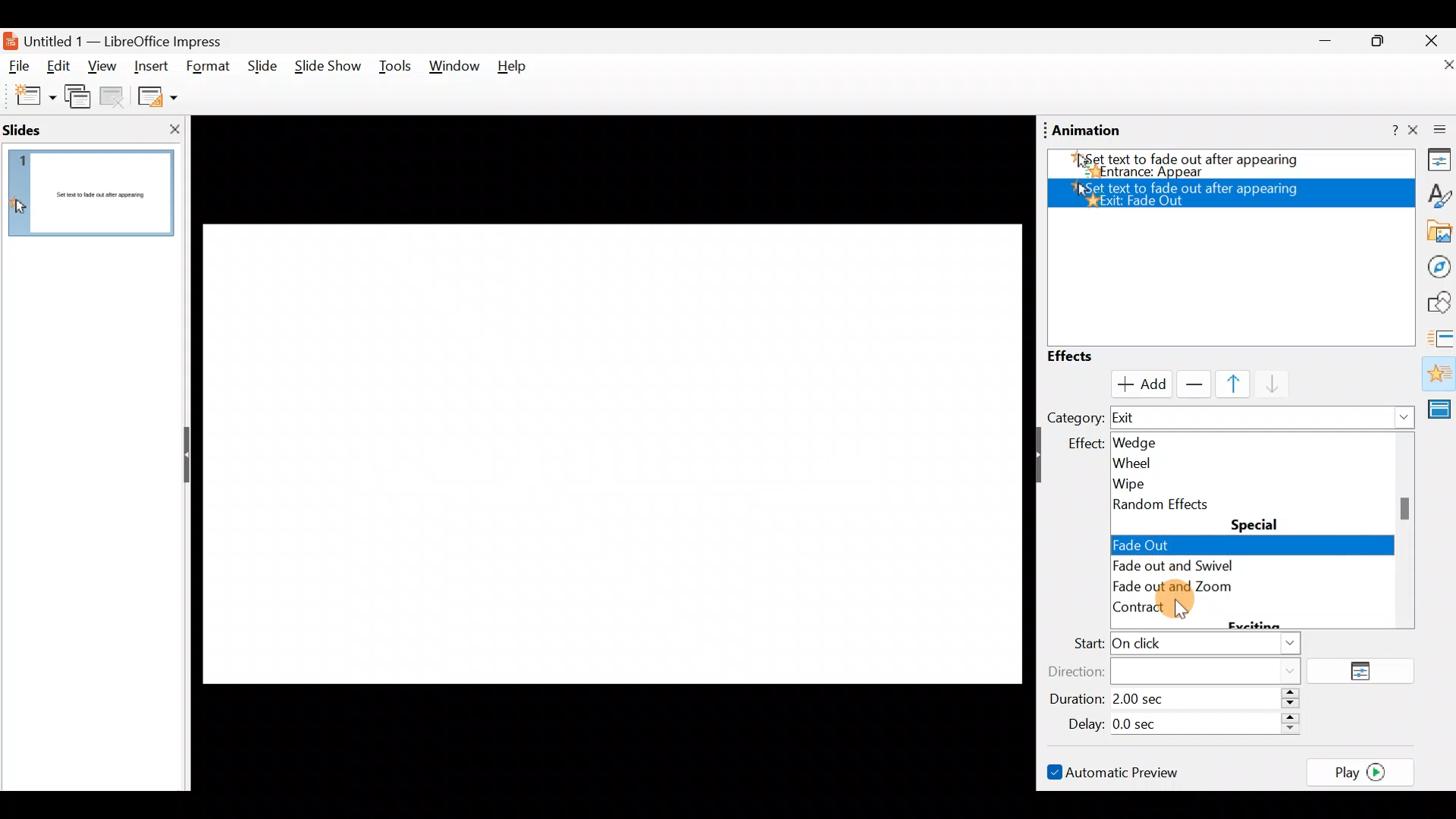  What do you see at coordinates (1441, 337) in the screenshot?
I see `Slides transition` at bounding box center [1441, 337].